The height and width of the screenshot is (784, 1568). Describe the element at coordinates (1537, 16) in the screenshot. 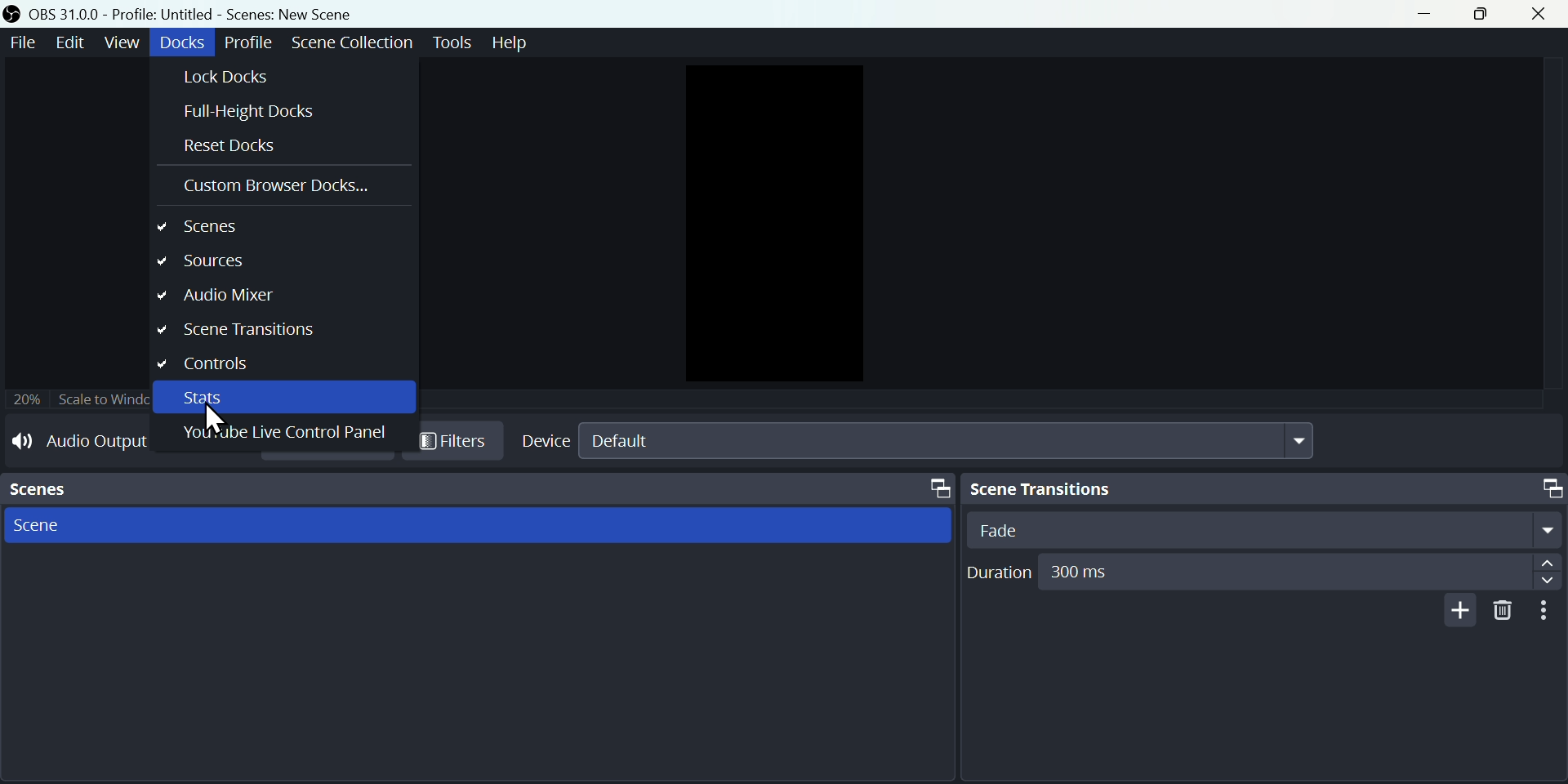

I see `close` at that location.